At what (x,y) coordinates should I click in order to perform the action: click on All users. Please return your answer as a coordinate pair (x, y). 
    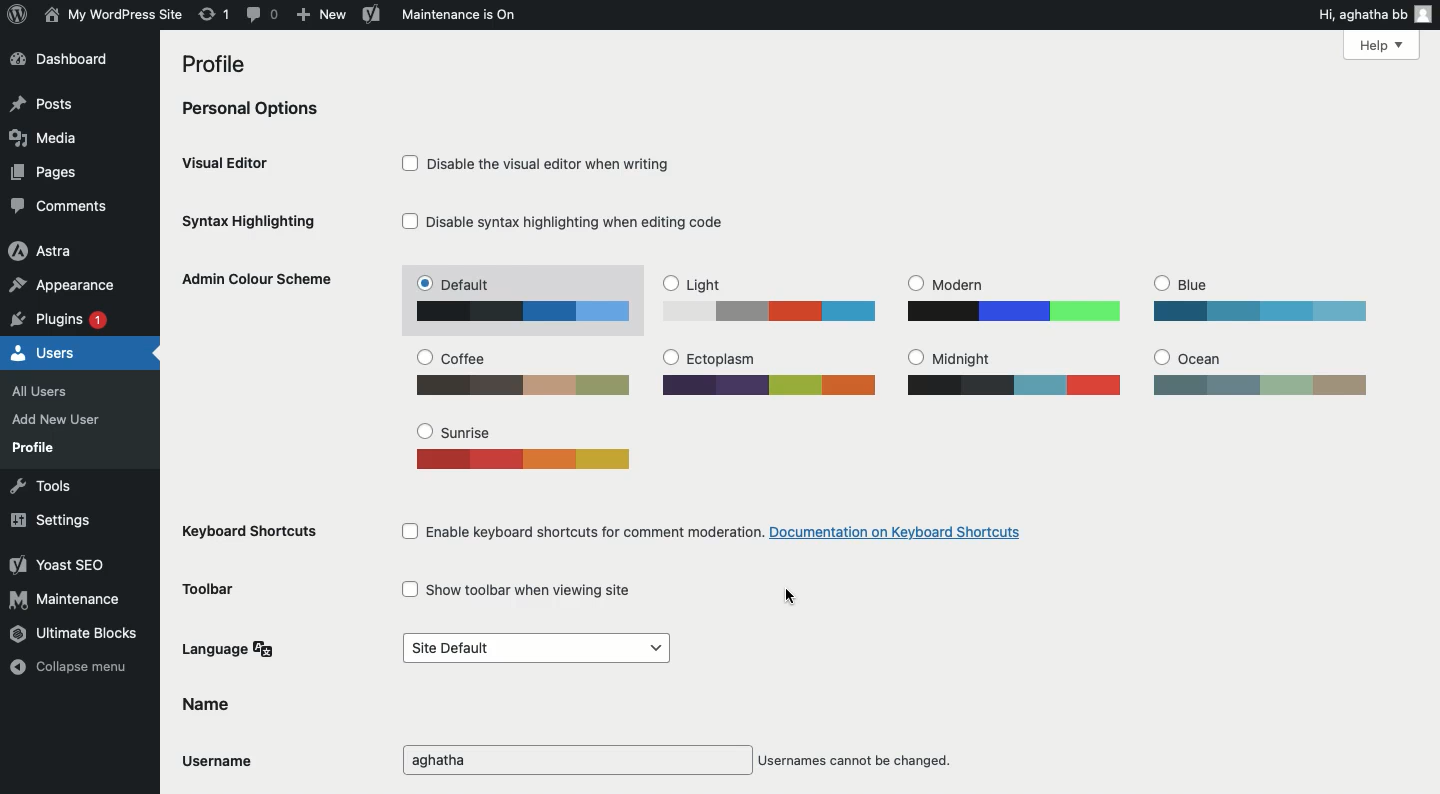
    Looking at the image, I should click on (46, 391).